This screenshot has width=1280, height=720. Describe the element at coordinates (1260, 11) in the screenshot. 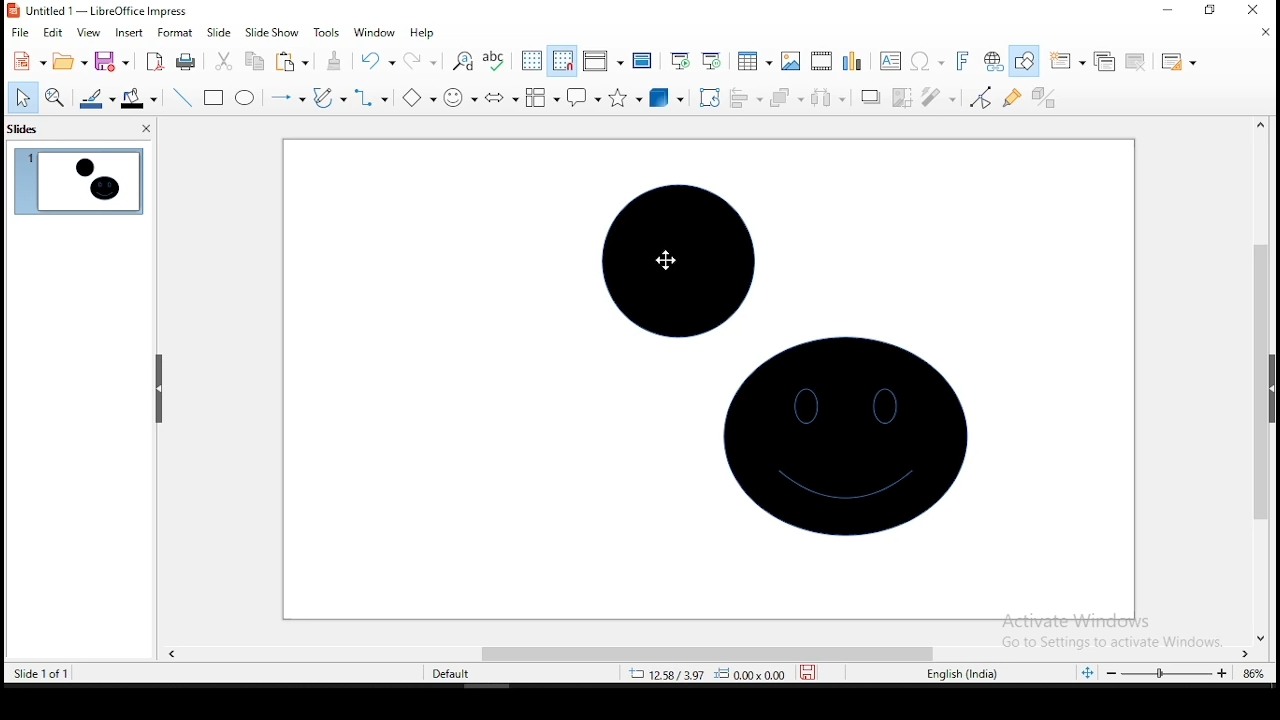

I see `close window` at that location.